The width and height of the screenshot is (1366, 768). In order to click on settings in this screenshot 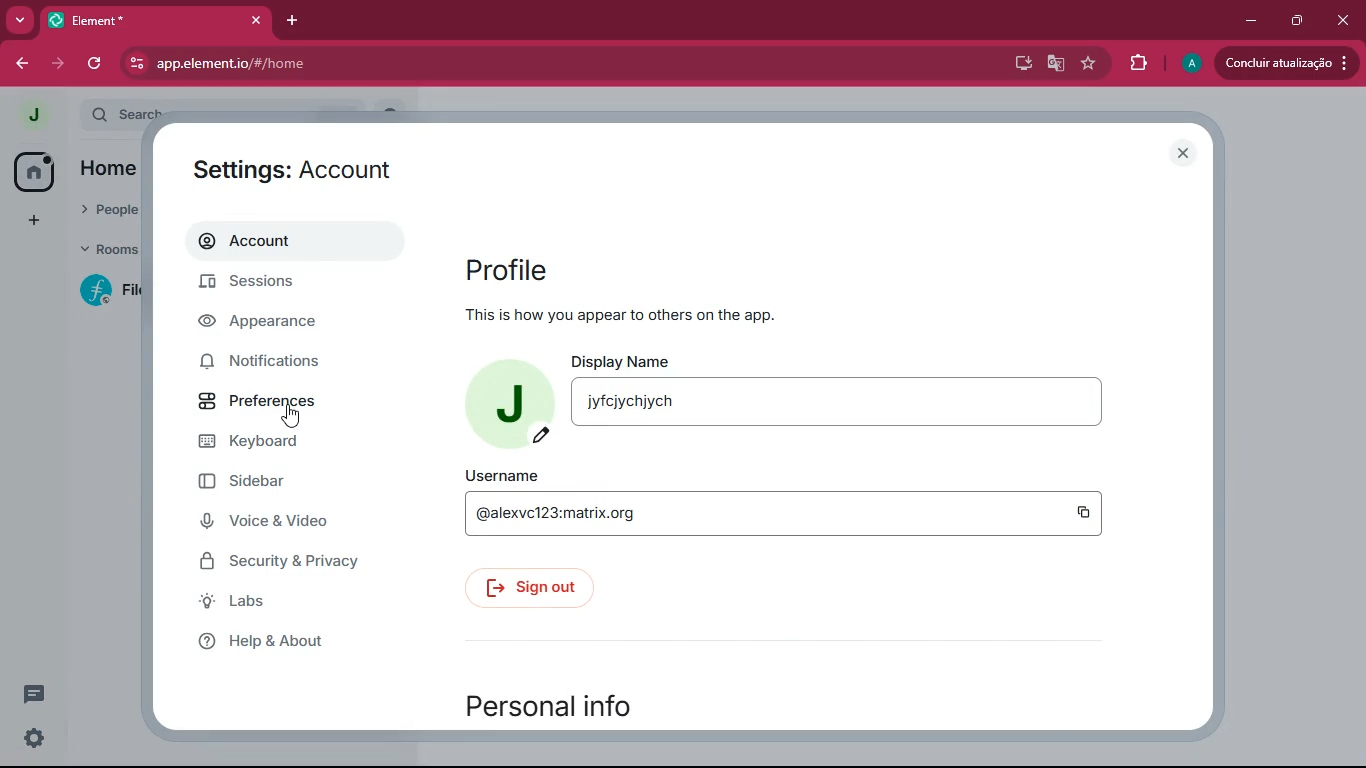, I will do `click(30, 739)`.